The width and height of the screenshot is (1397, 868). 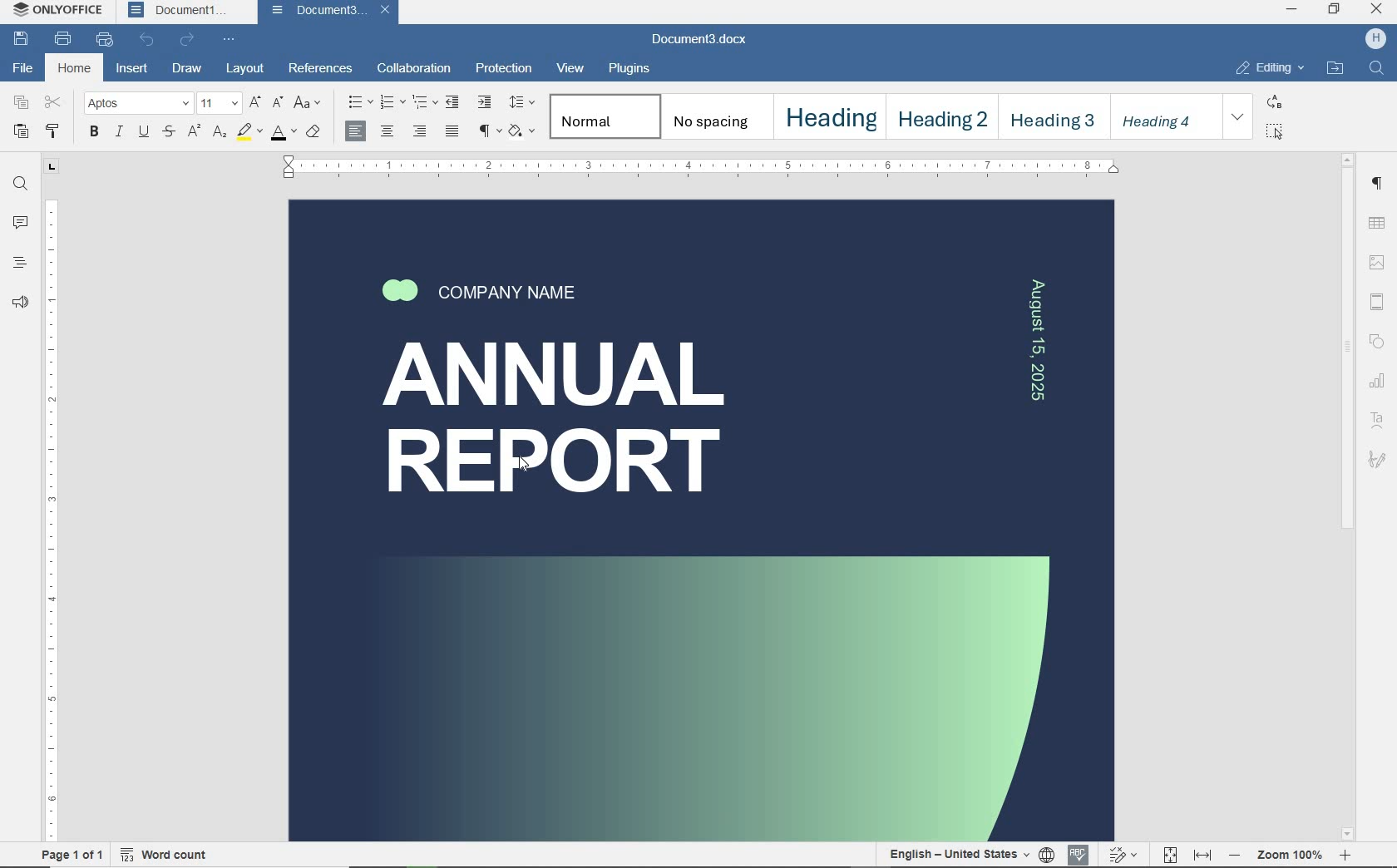 What do you see at coordinates (452, 131) in the screenshot?
I see `justified` at bounding box center [452, 131].